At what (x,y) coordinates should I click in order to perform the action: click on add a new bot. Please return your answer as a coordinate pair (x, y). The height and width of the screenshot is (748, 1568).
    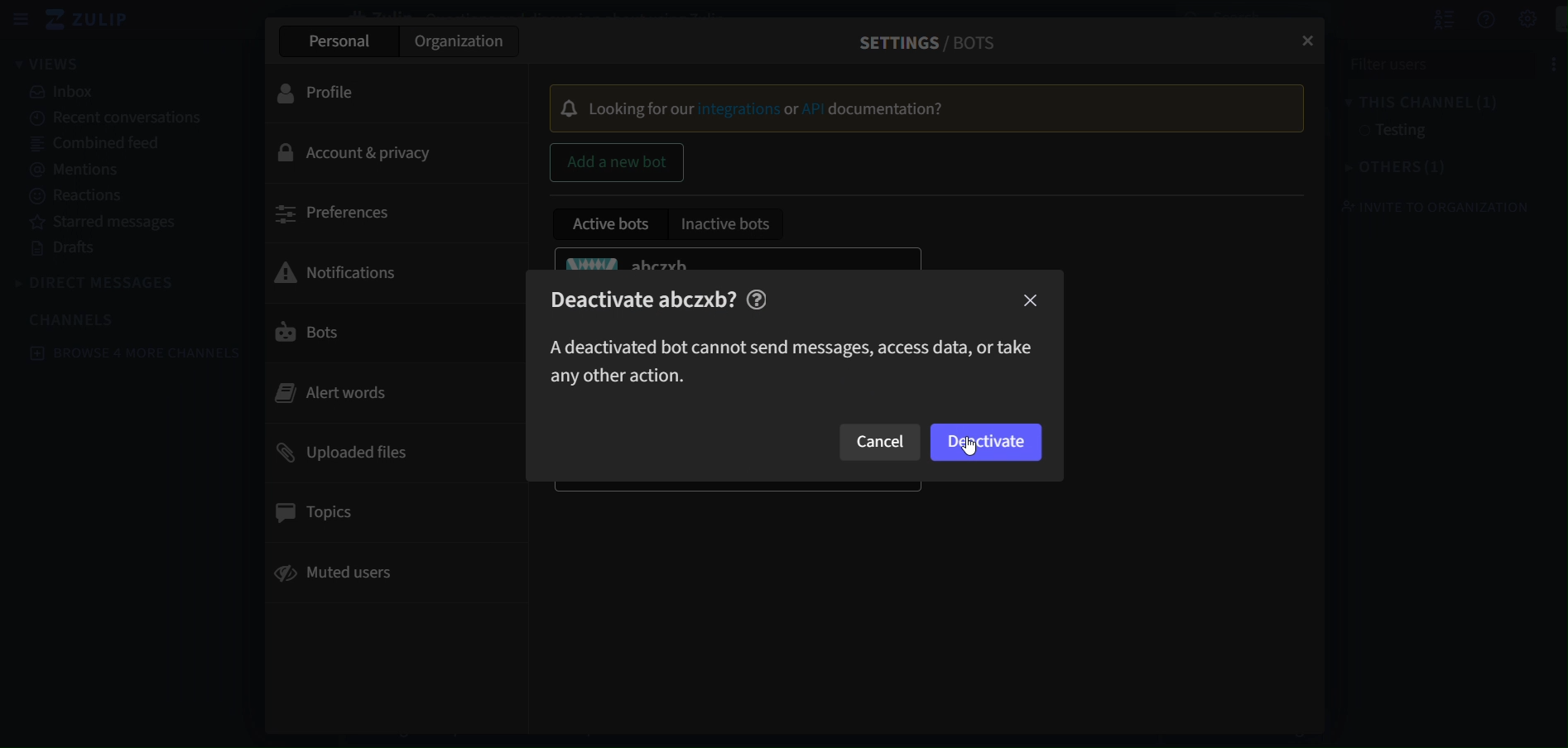
    Looking at the image, I should click on (618, 161).